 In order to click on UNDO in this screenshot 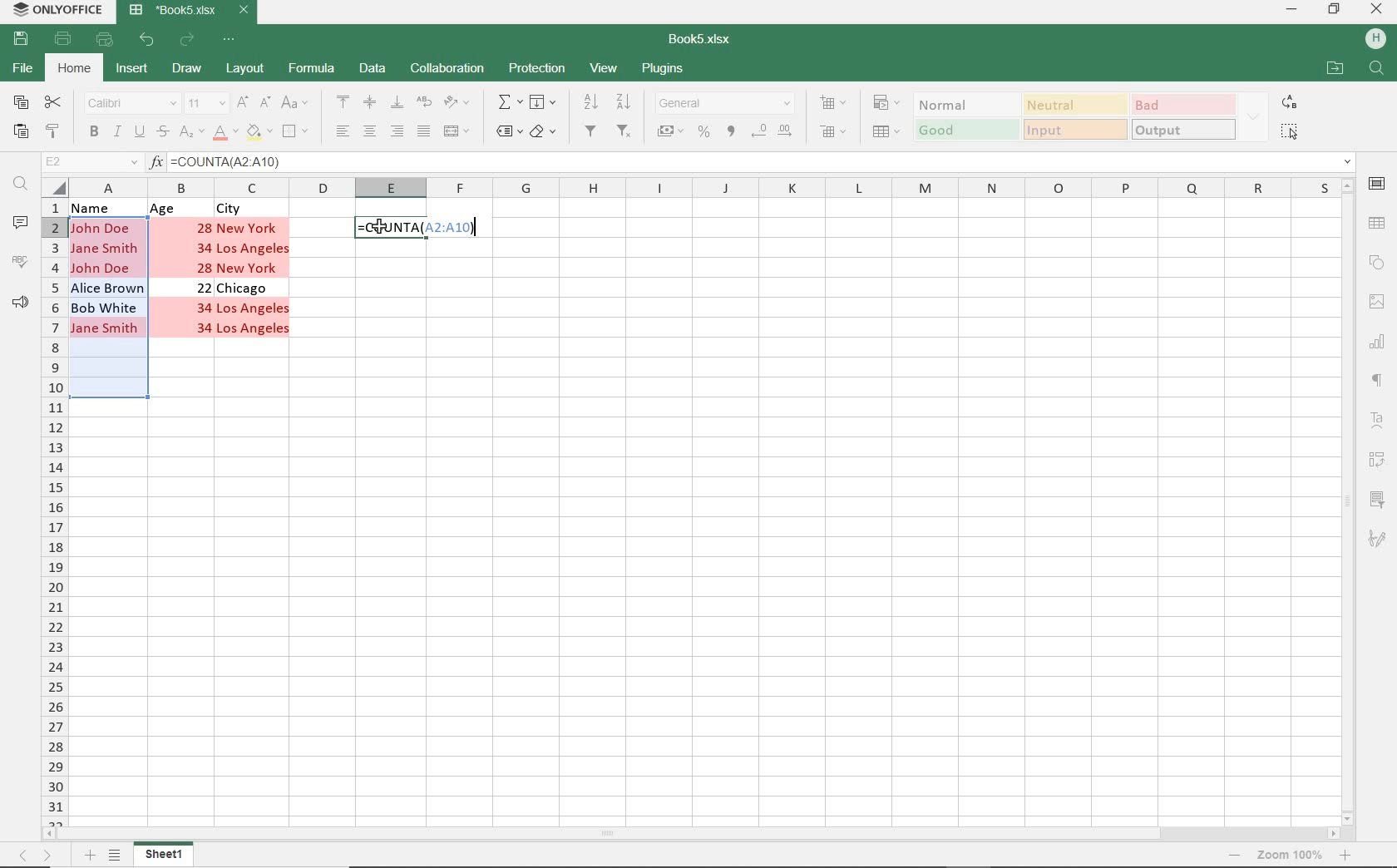, I will do `click(148, 39)`.